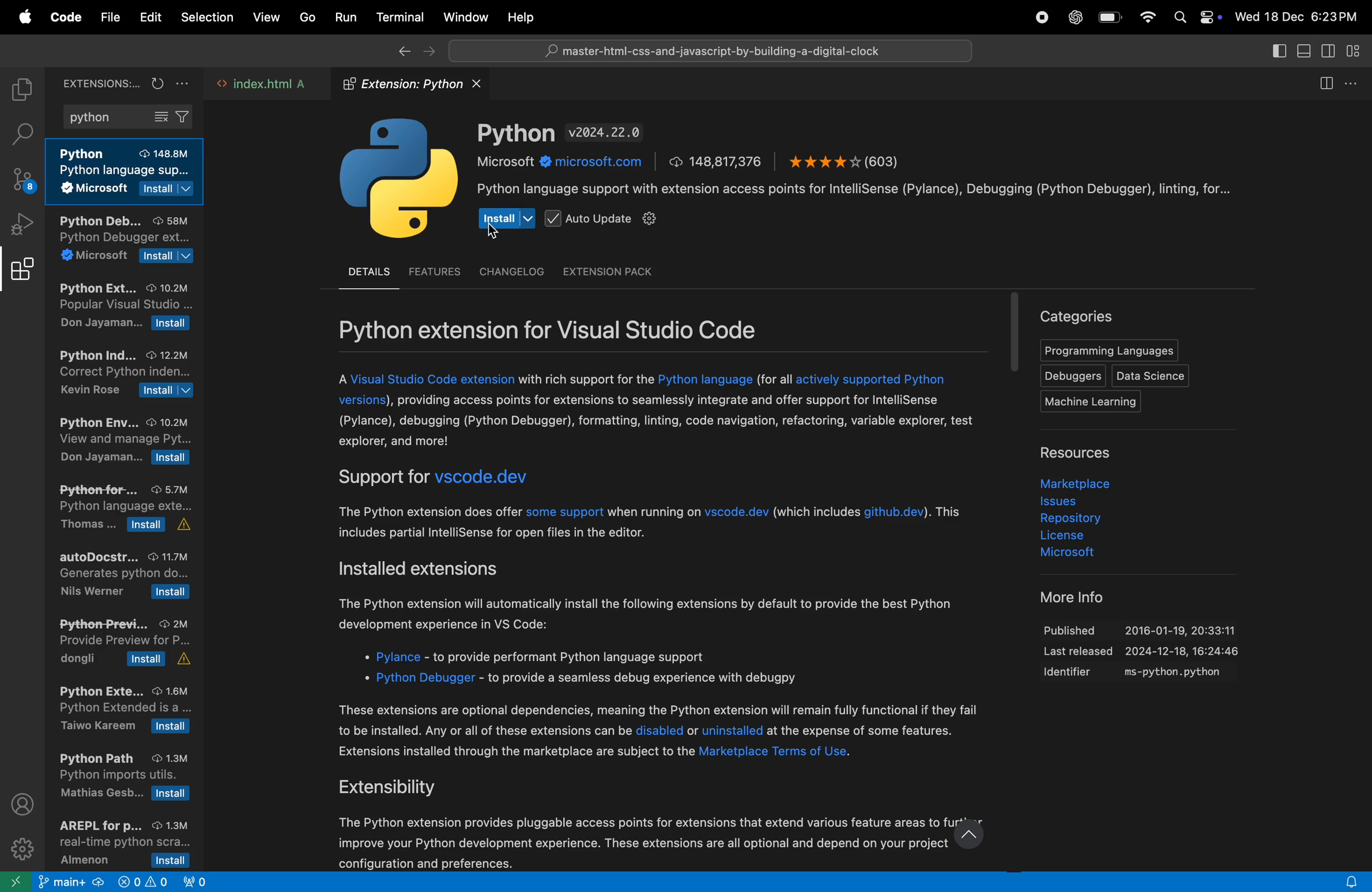 Image resolution: width=1372 pixels, height=892 pixels. What do you see at coordinates (707, 50) in the screenshot?
I see `search bar` at bounding box center [707, 50].